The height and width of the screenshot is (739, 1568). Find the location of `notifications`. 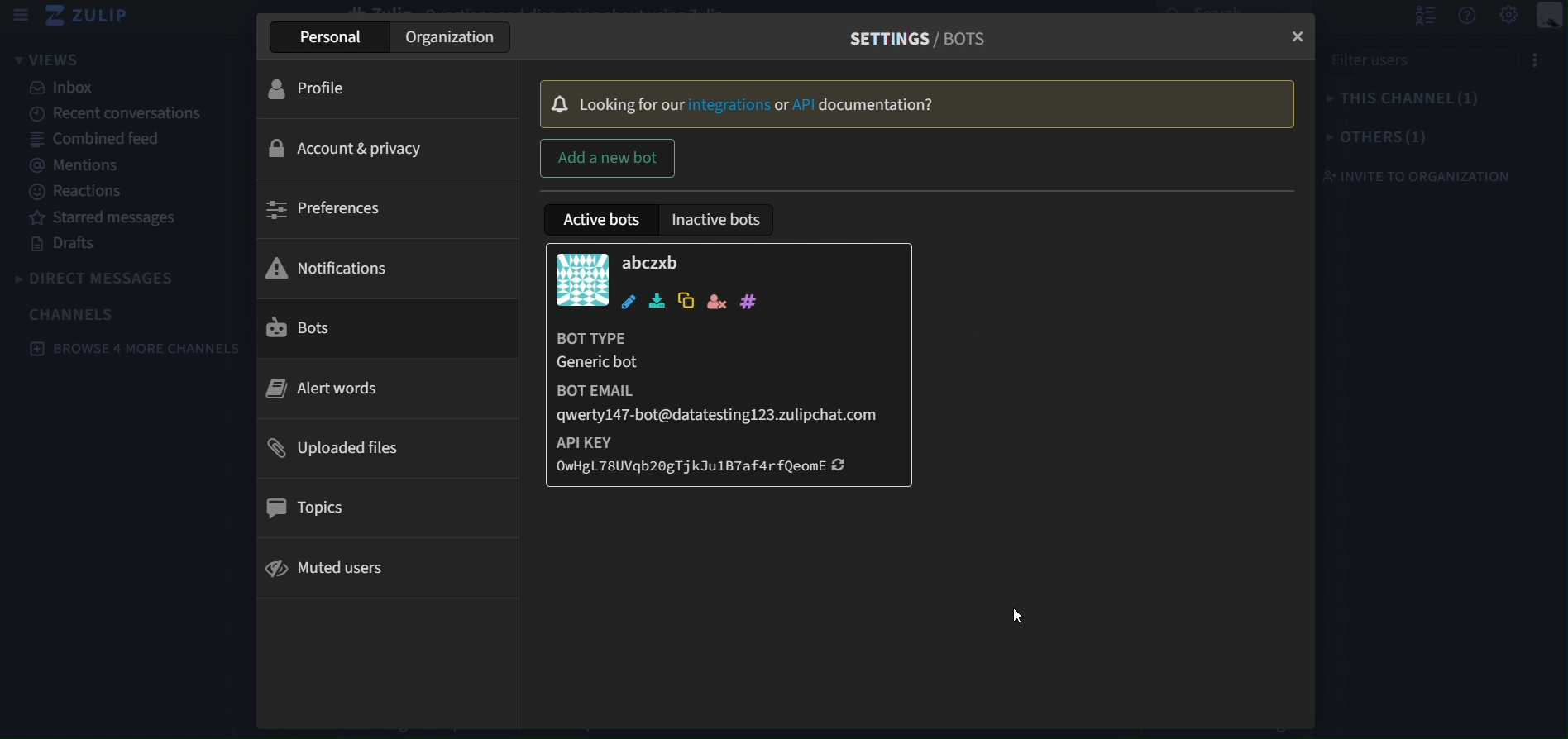

notifications is located at coordinates (333, 266).